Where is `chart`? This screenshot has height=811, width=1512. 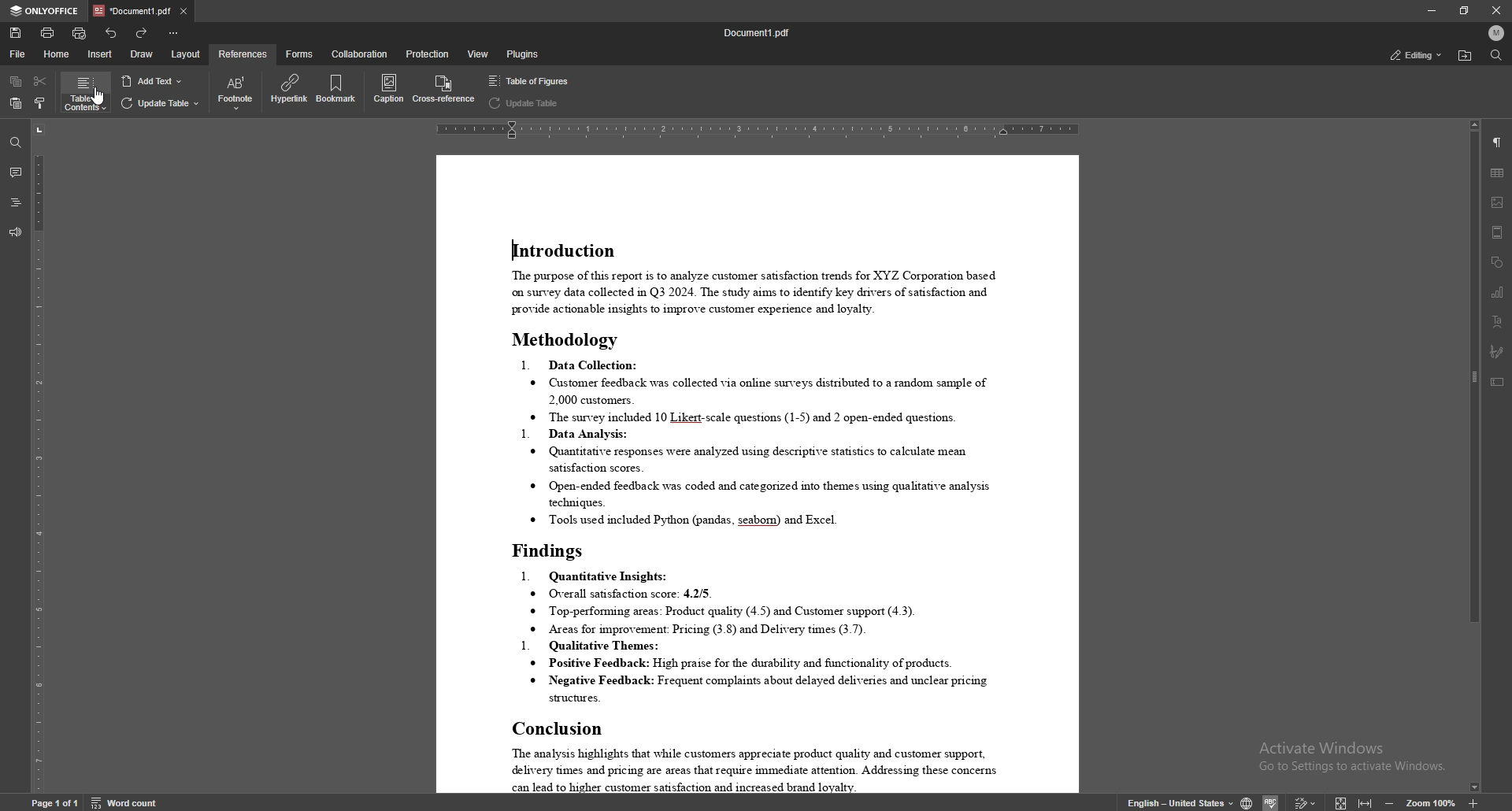
chart is located at coordinates (1499, 291).